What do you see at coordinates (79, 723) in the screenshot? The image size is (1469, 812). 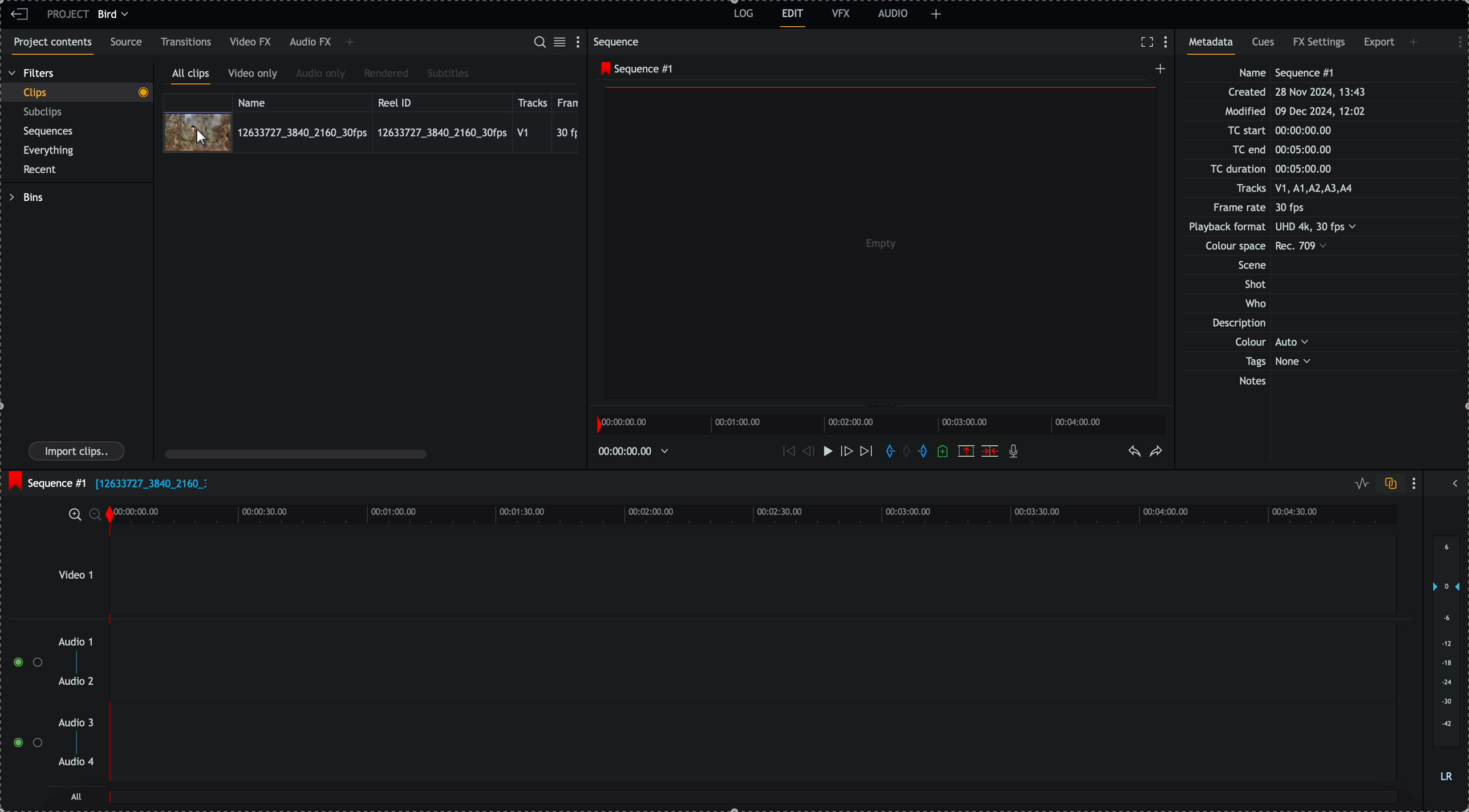 I see `audio 3` at bounding box center [79, 723].